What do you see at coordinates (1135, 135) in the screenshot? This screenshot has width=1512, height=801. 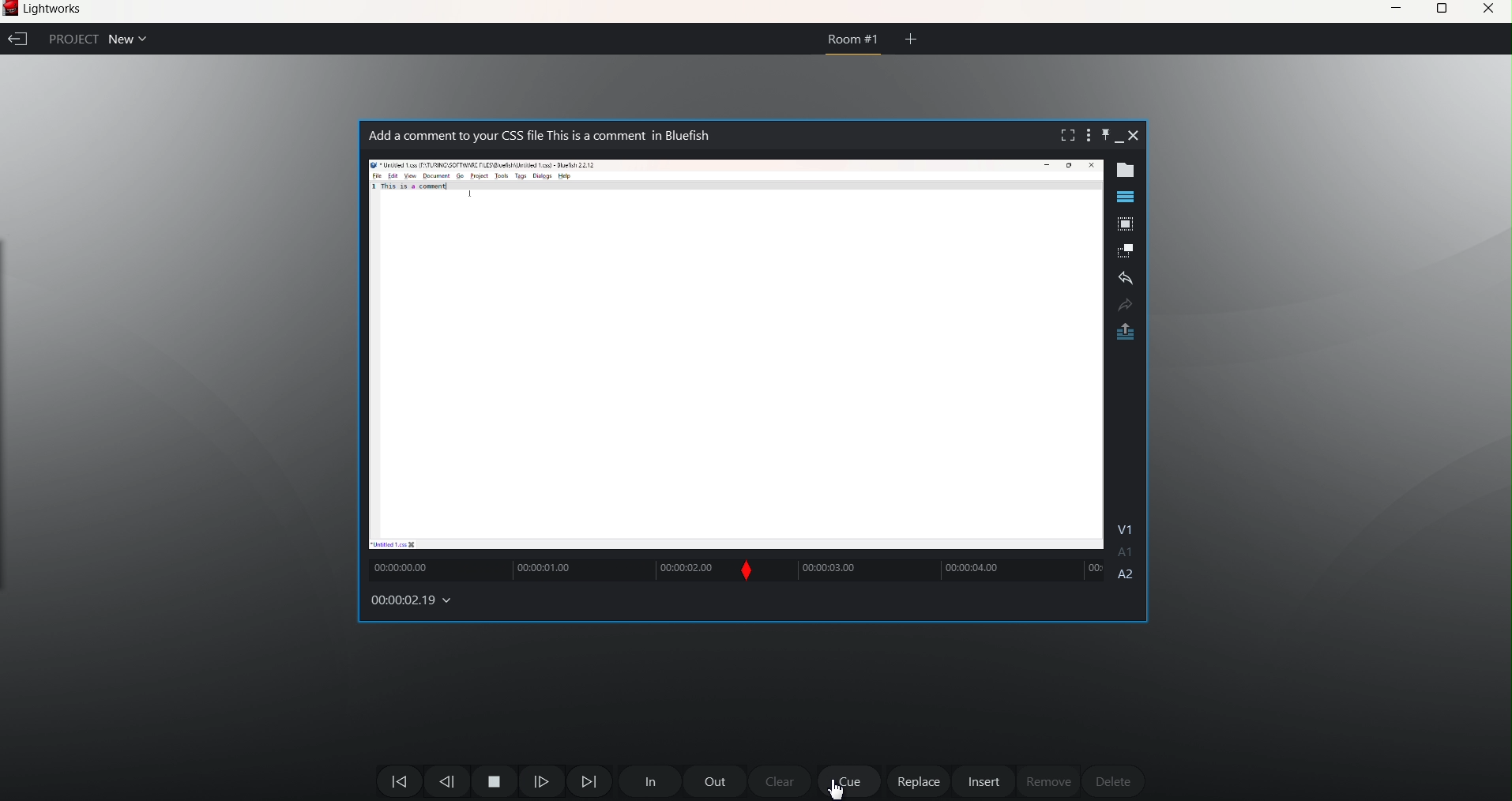 I see `close clip` at bounding box center [1135, 135].